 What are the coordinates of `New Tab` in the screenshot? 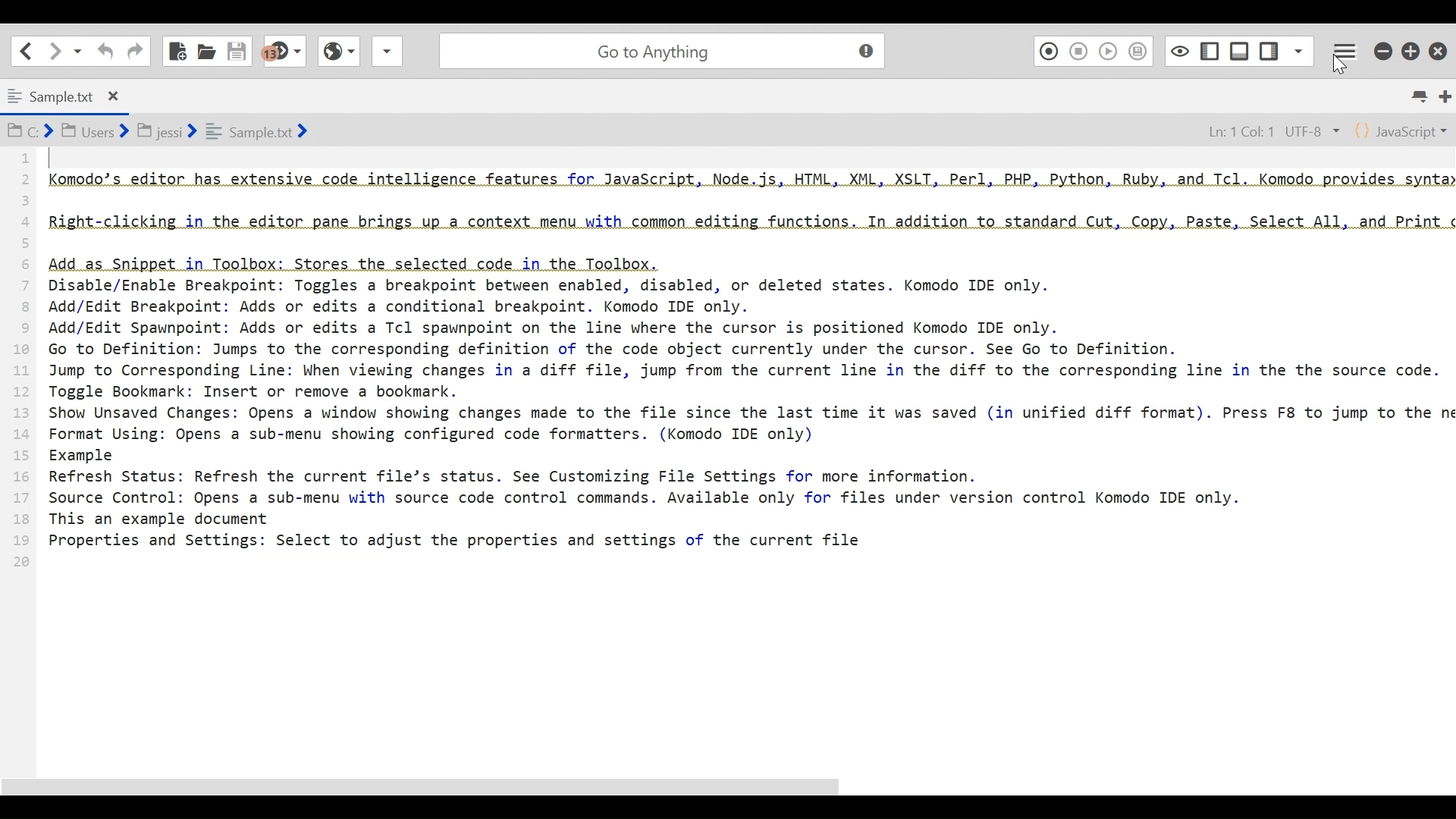 It's located at (1445, 96).